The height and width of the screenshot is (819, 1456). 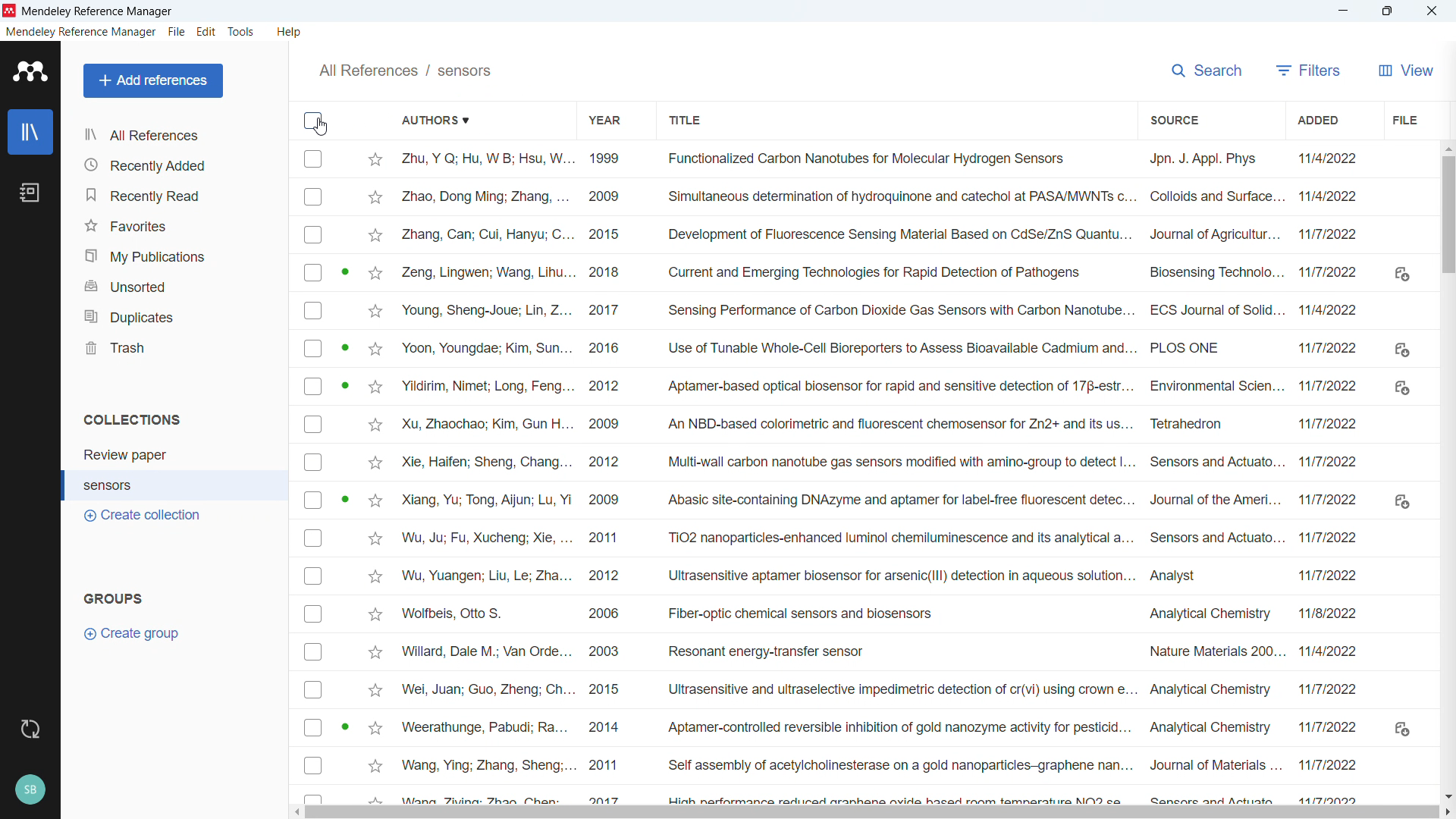 What do you see at coordinates (1315, 120) in the screenshot?
I see `Sort by date added` at bounding box center [1315, 120].